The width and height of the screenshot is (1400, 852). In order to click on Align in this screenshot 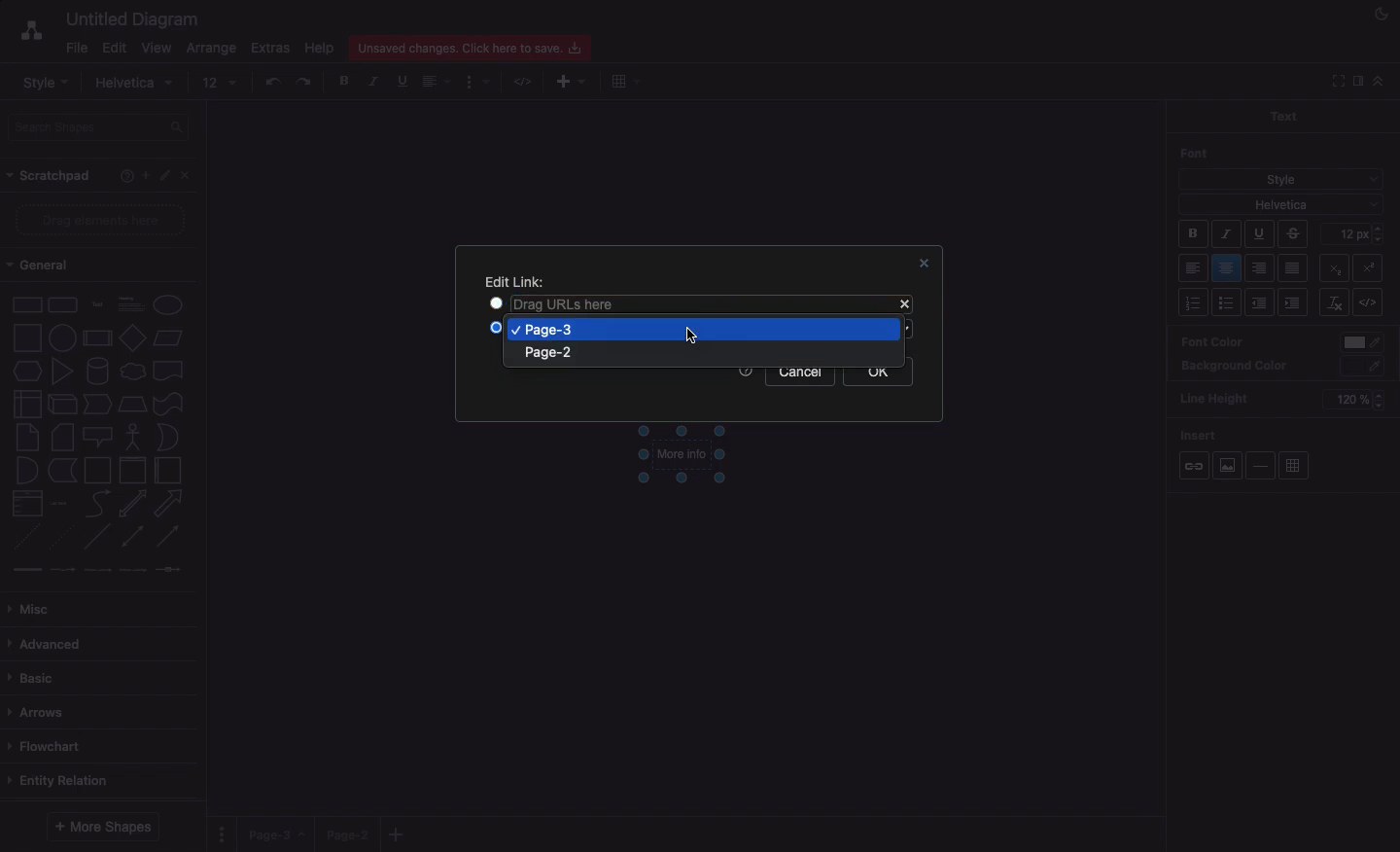, I will do `click(438, 84)`.